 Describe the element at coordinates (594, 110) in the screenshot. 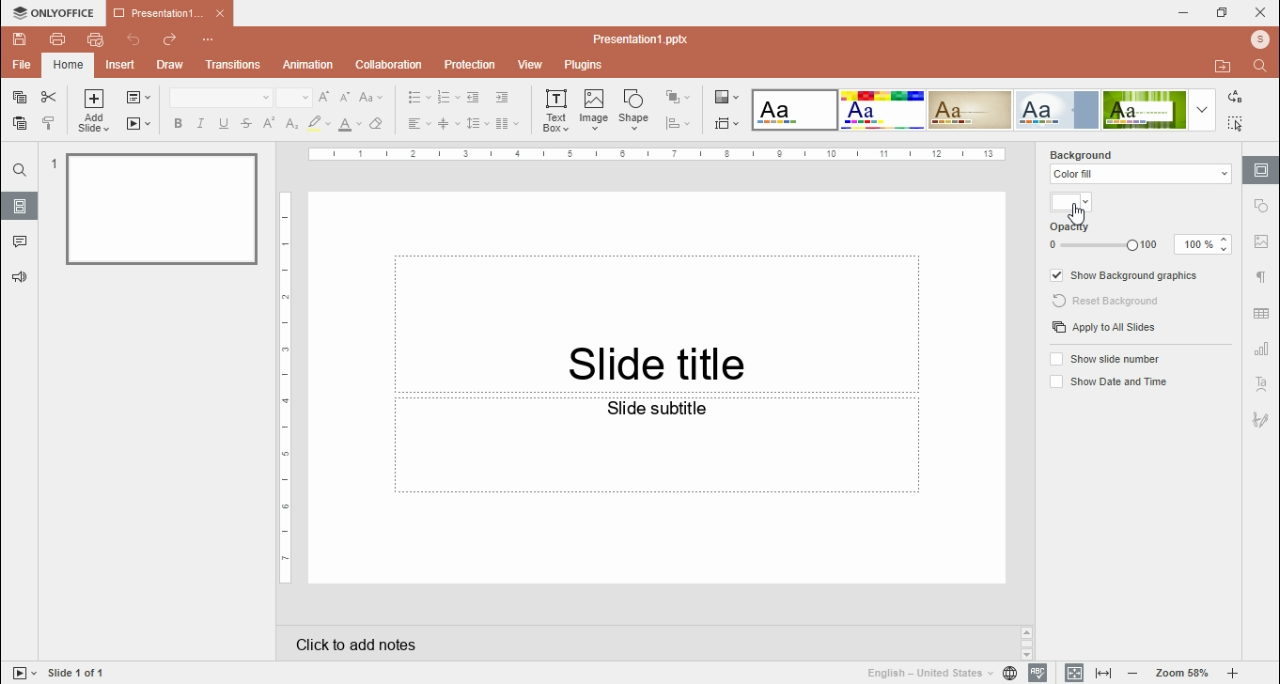

I see `image` at that location.